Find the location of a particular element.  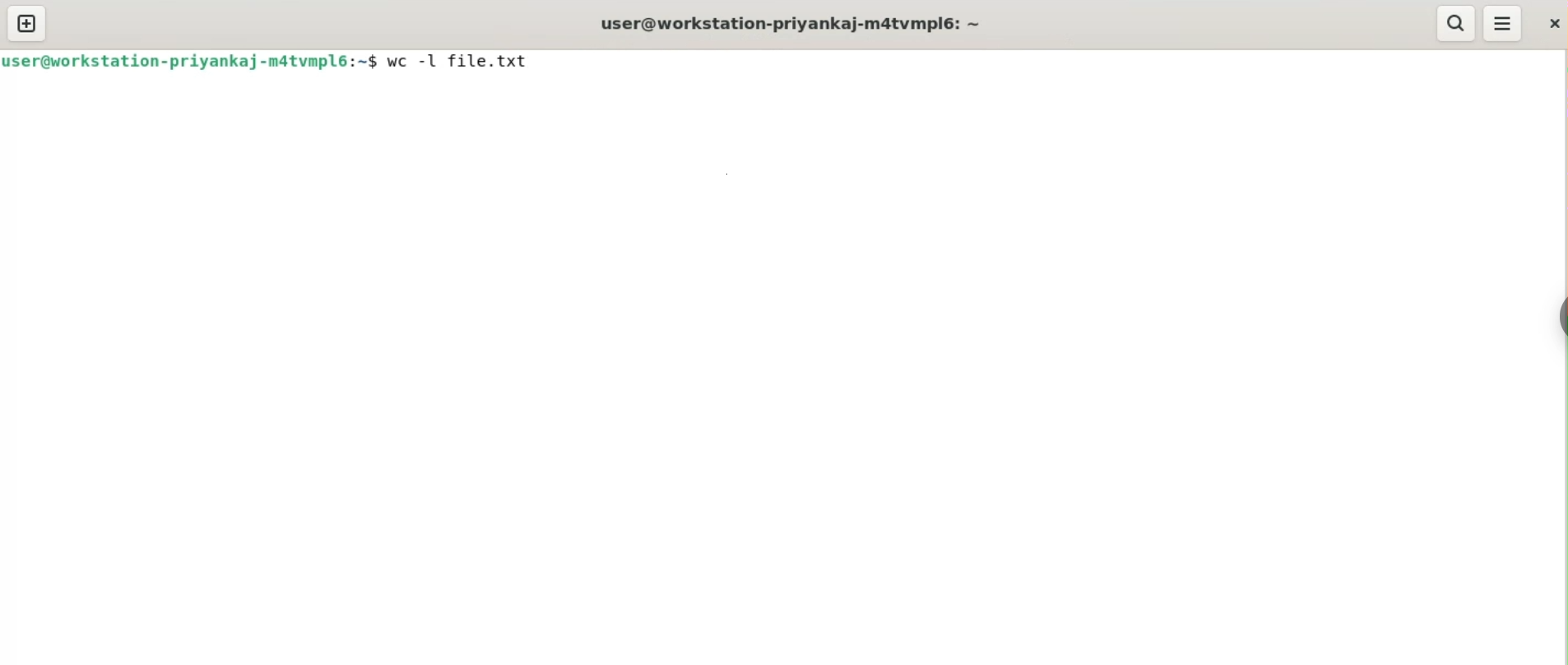

close is located at coordinates (1552, 22).